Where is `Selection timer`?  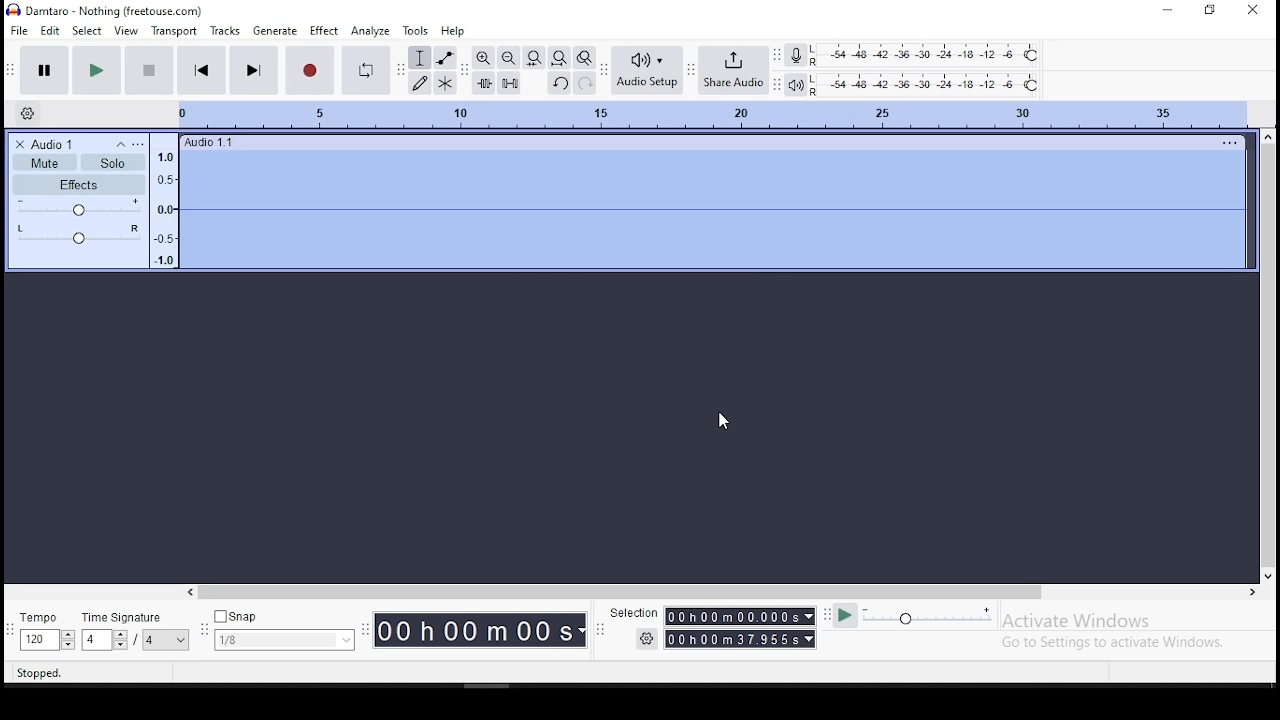
Selection timer is located at coordinates (713, 616).